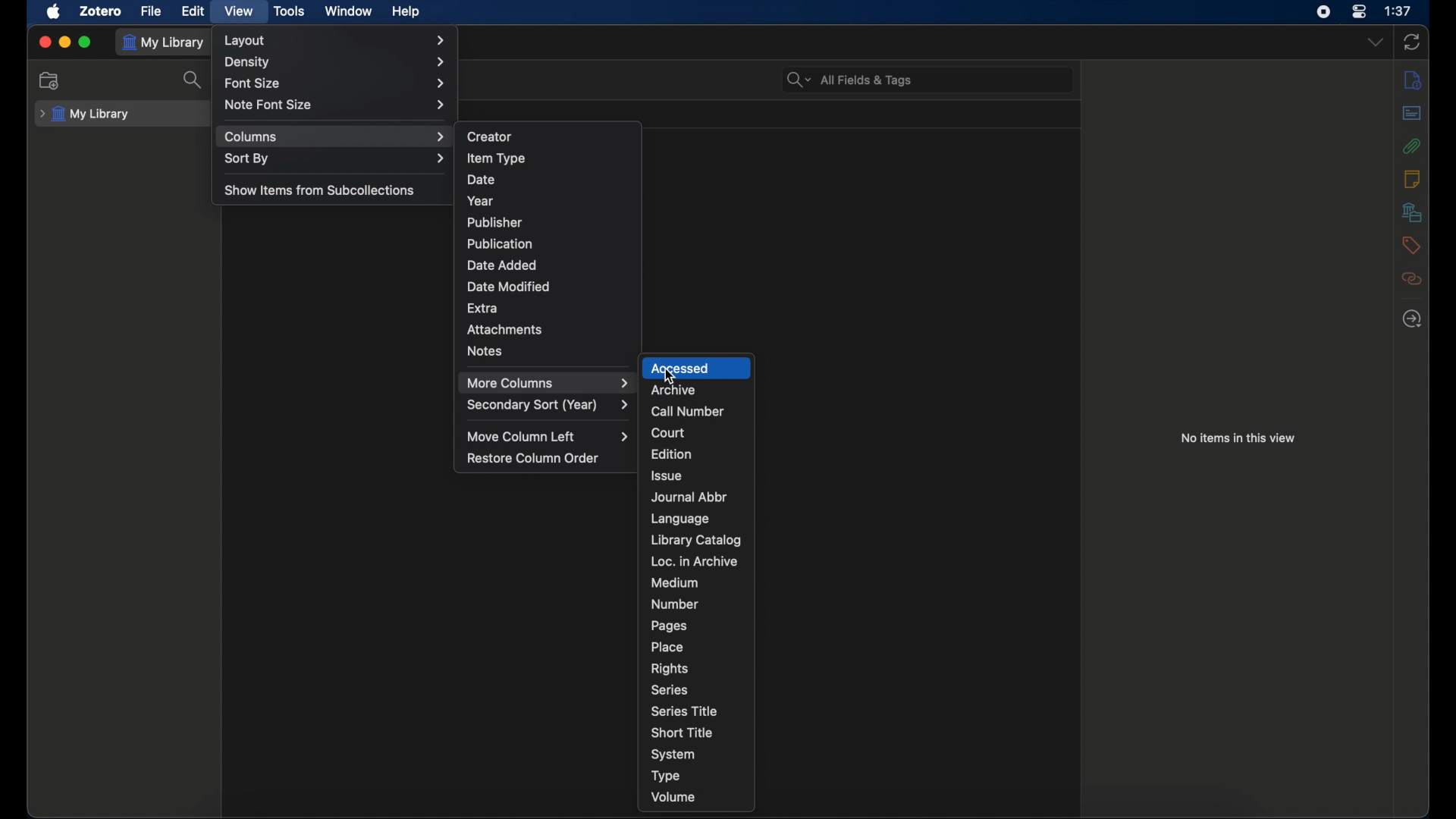 This screenshot has width=1456, height=819. Describe the element at coordinates (506, 330) in the screenshot. I see `attachments` at that location.